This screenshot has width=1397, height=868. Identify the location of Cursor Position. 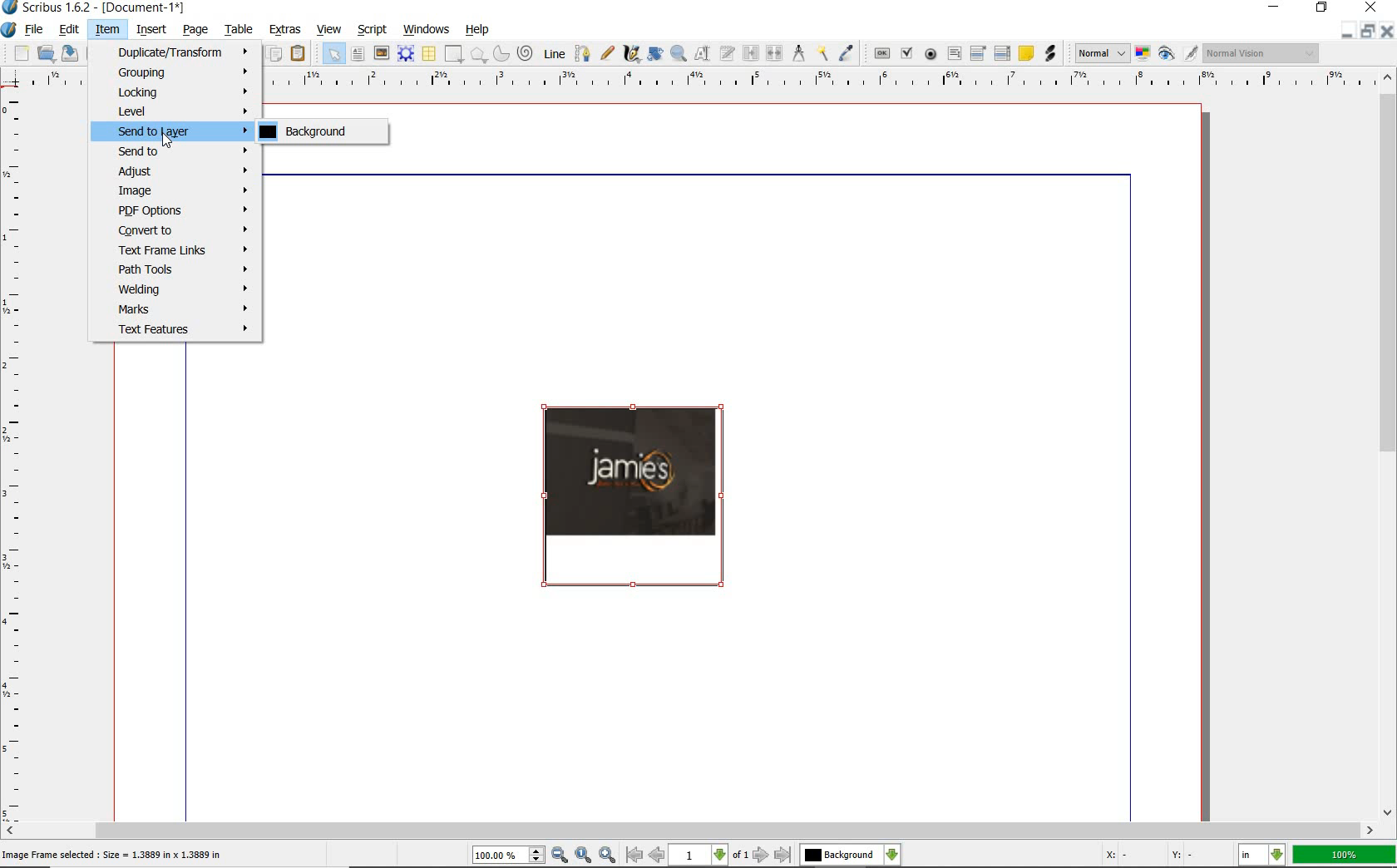
(167, 140).